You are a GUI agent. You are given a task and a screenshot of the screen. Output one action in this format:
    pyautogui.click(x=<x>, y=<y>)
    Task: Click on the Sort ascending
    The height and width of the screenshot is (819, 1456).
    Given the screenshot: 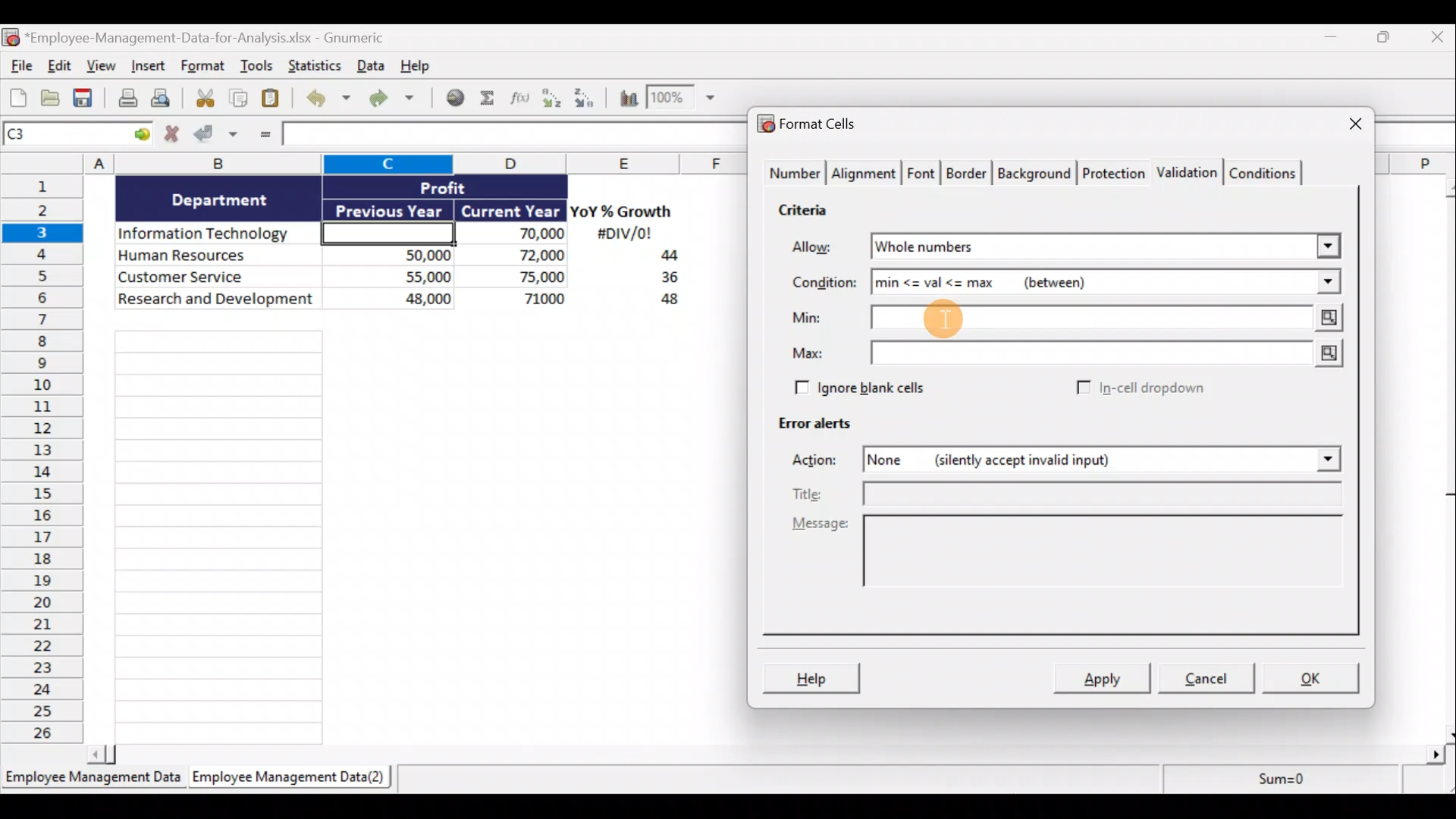 What is the action you would take?
    pyautogui.click(x=551, y=98)
    